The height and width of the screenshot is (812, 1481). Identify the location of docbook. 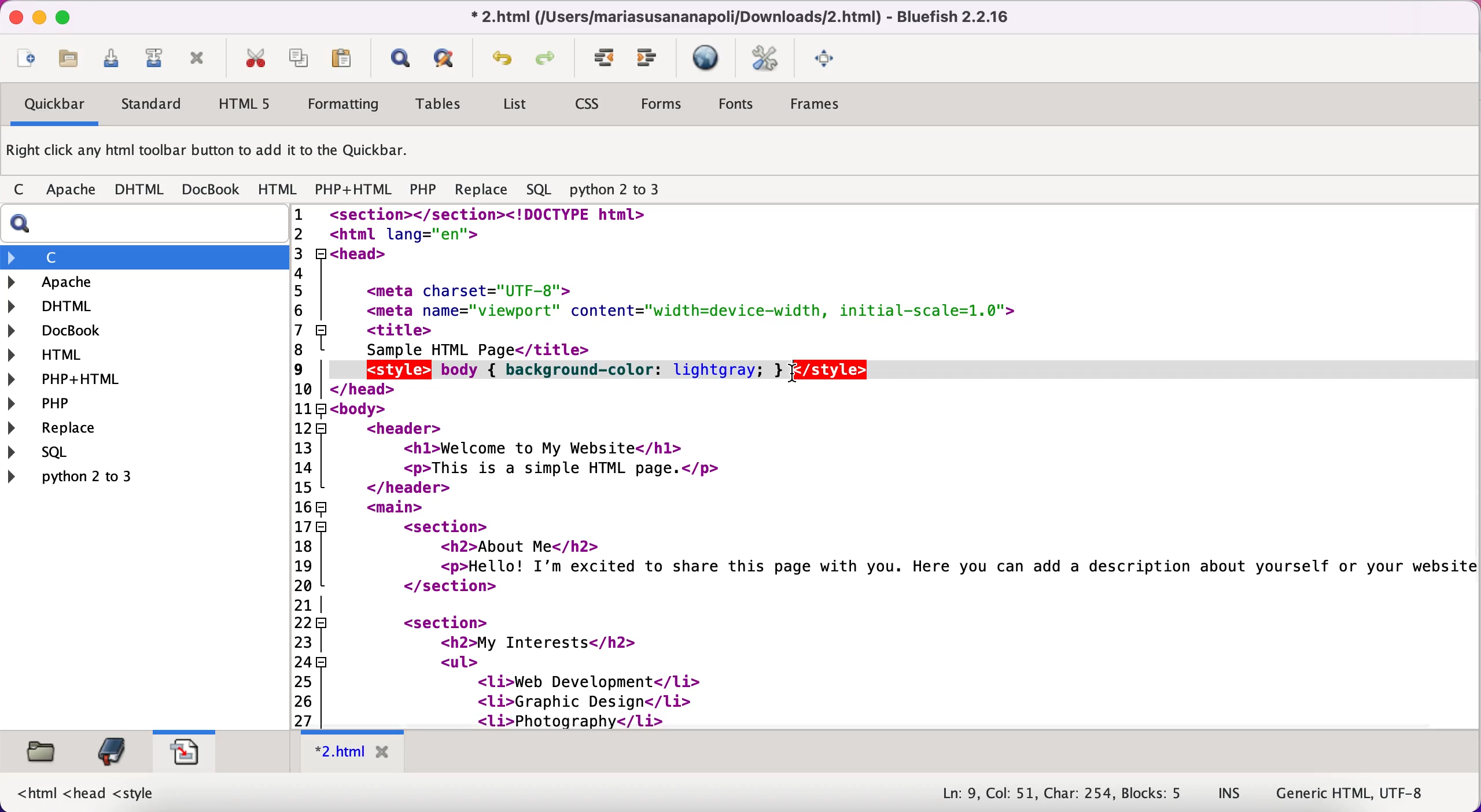
(212, 189).